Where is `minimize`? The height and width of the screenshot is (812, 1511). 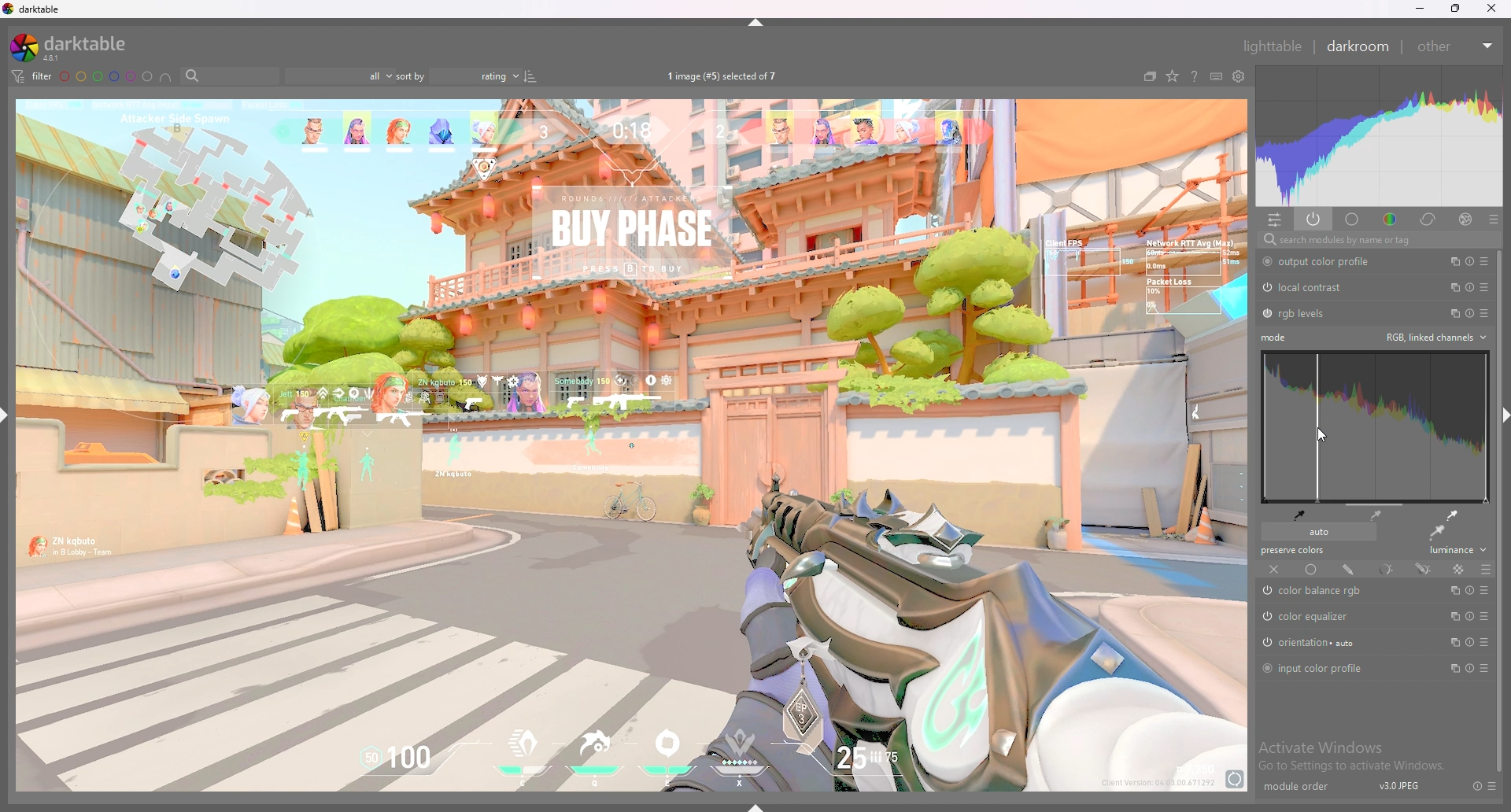
minimize is located at coordinates (1420, 9).